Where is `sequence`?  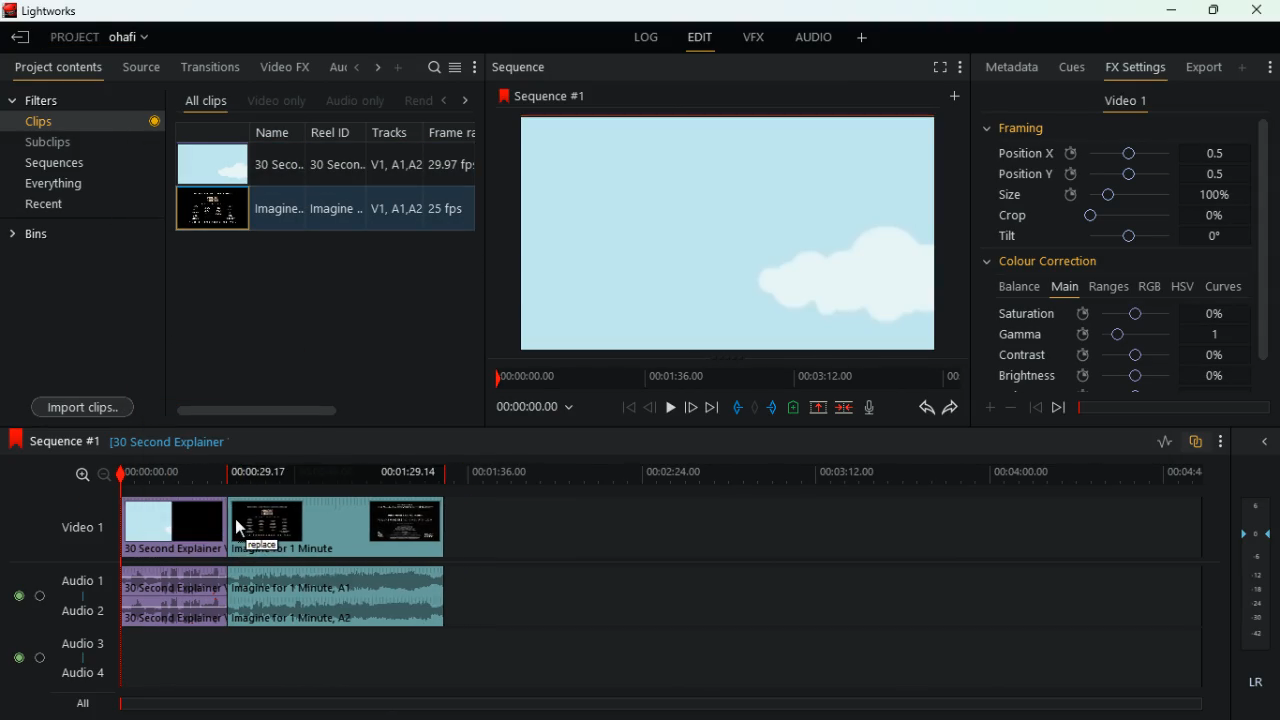
sequence is located at coordinates (548, 95).